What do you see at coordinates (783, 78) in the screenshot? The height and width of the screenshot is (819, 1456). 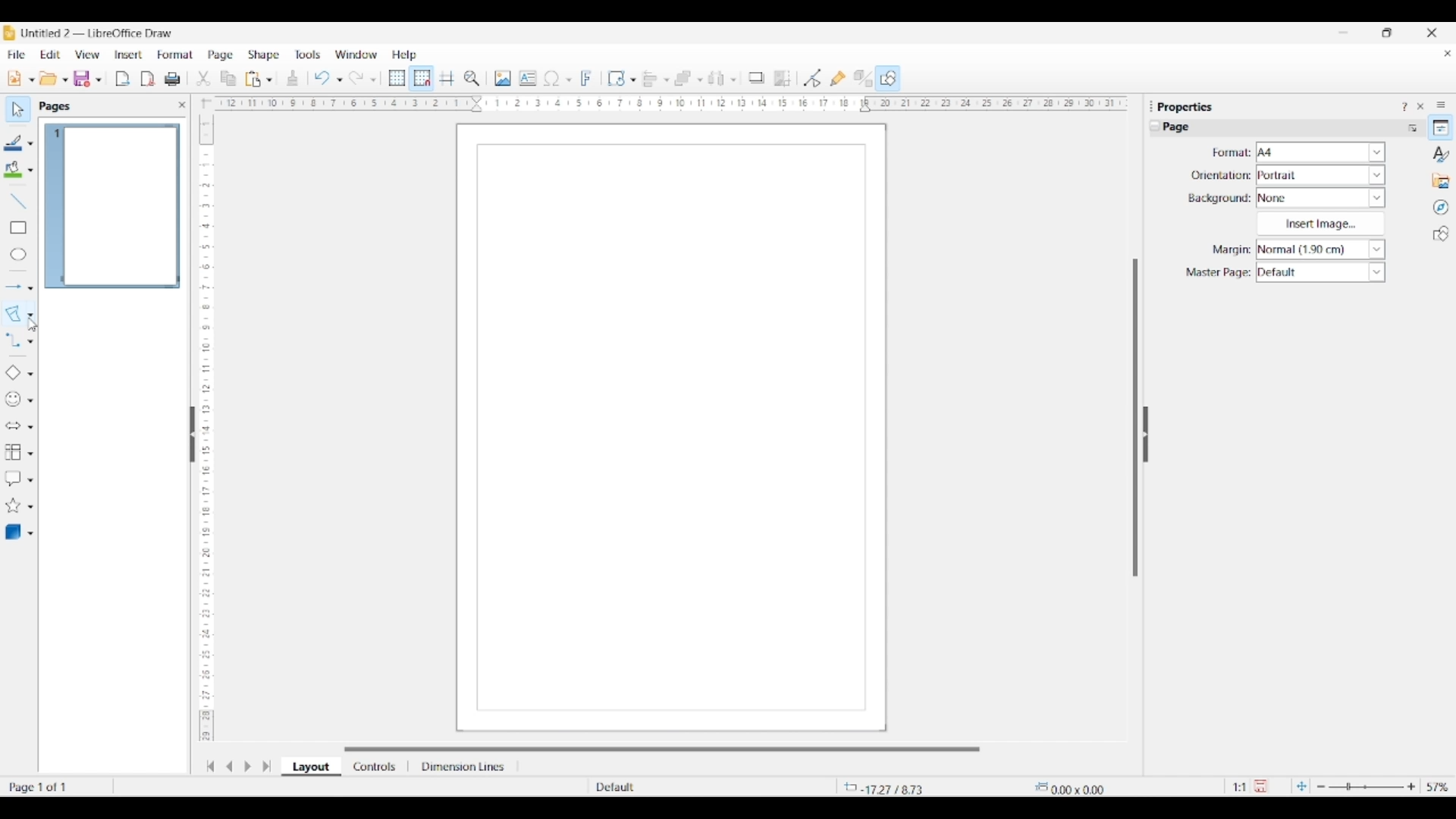 I see `Crop image` at bounding box center [783, 78].